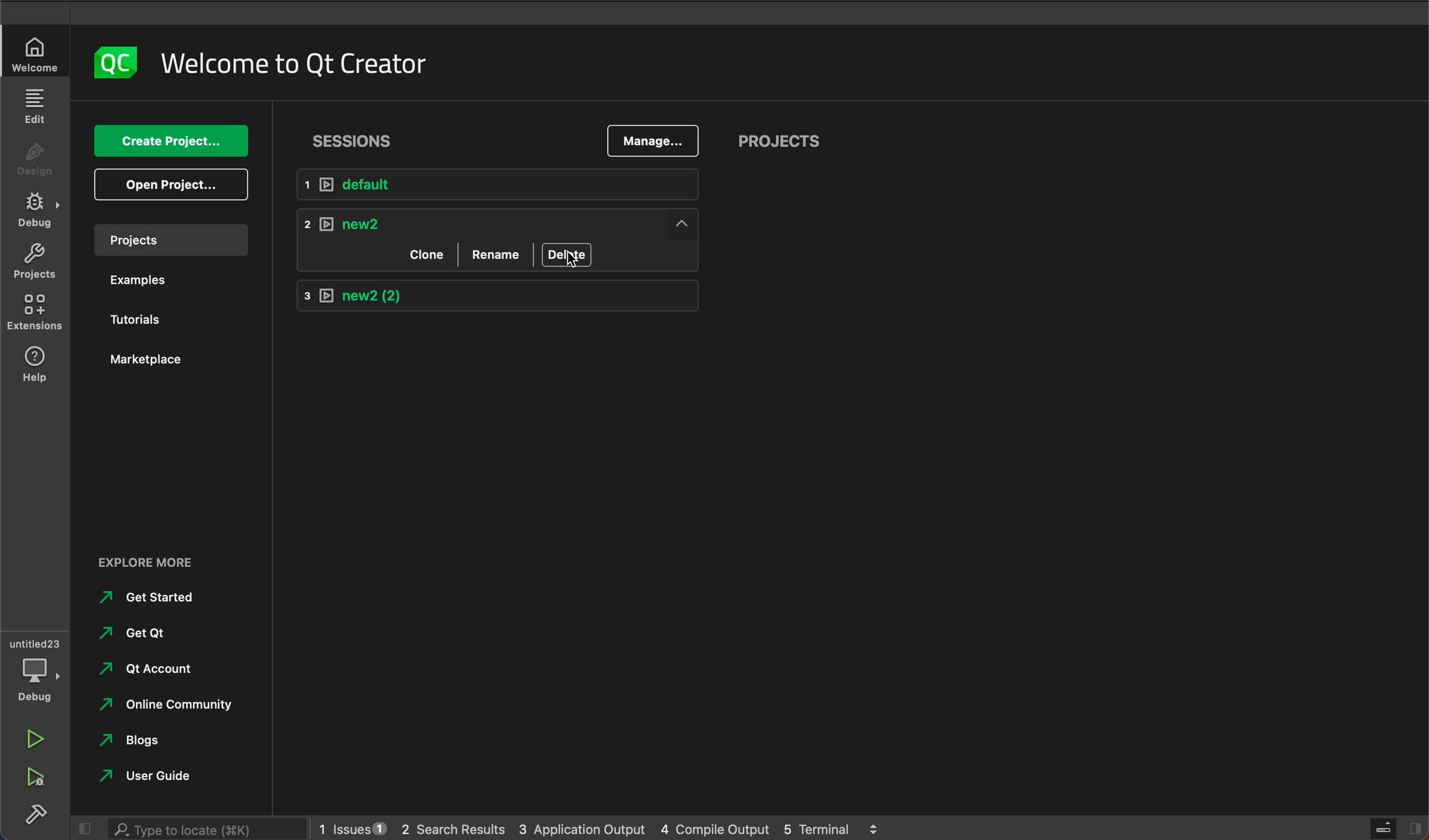  Describe the element at coordinates (178, 240) in the screenshot. I see `projects` at that location.